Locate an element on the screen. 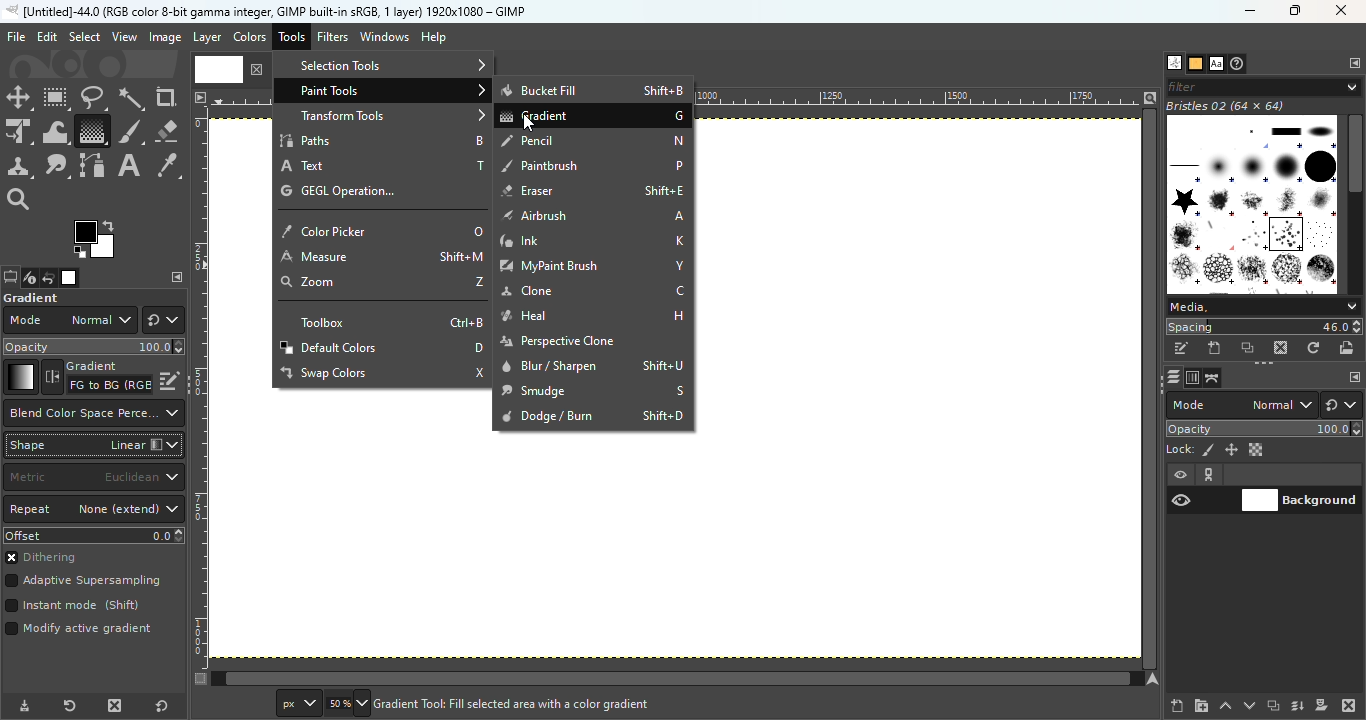 This screenshot has width=1366, height=720. Heal is located at coordinates (595, 316).